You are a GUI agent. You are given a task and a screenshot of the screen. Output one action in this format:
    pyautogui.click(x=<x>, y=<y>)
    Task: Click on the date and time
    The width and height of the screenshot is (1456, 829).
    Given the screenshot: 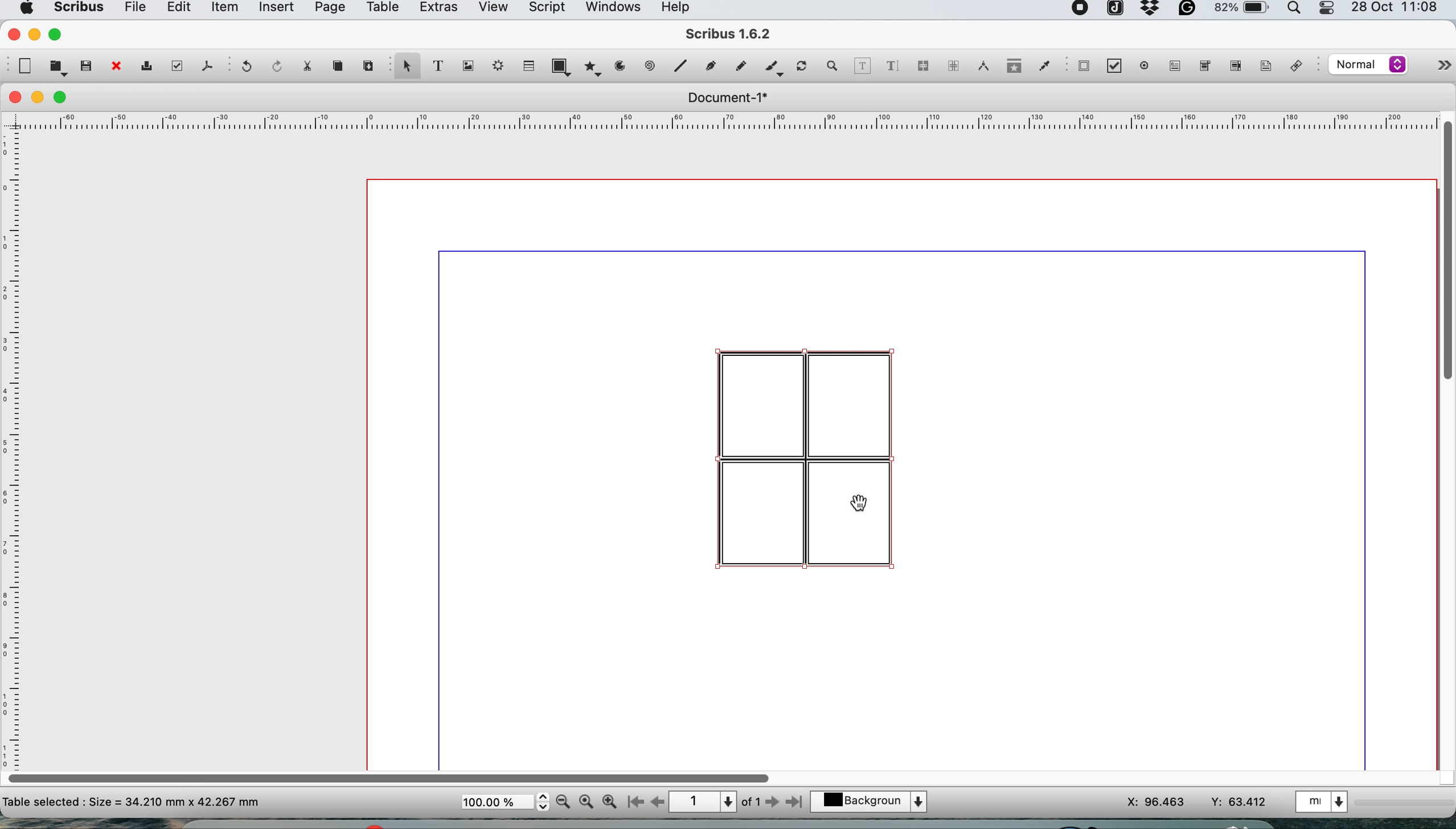 What is the action you would take?
    pyautogui.click(x=1397, y=9)
    